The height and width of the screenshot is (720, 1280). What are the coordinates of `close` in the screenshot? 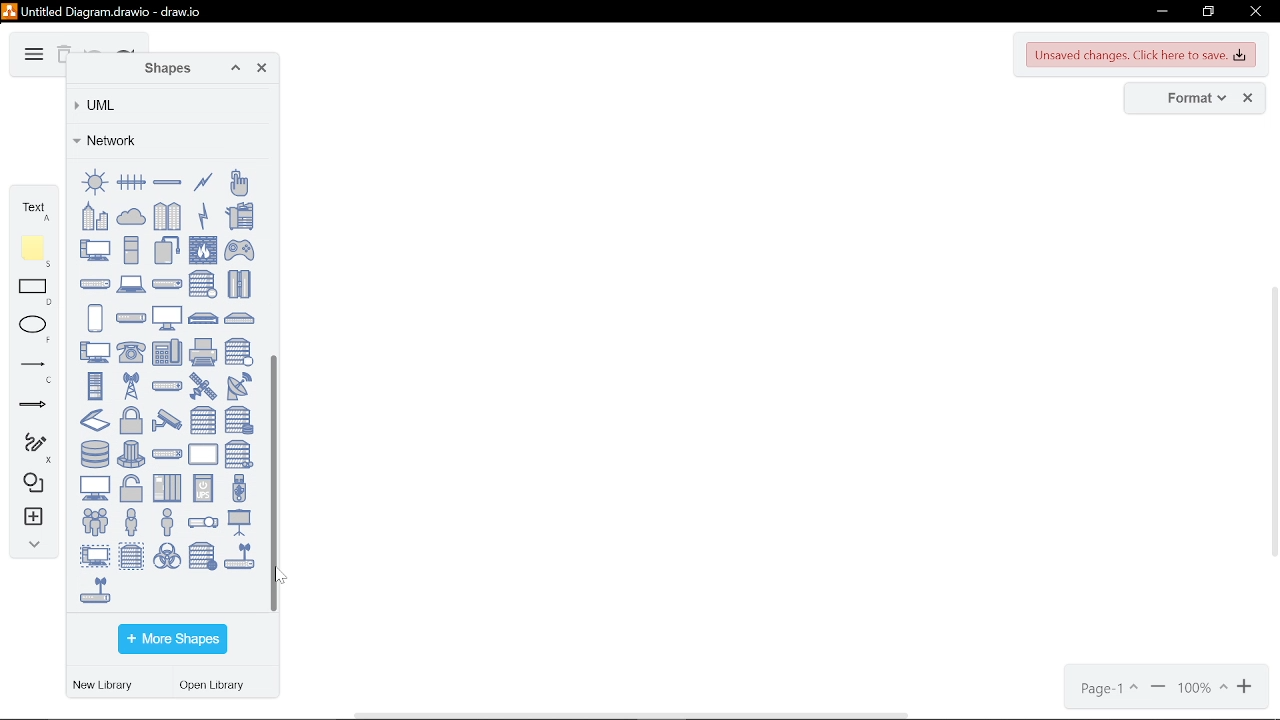 It's located at (262, 70).